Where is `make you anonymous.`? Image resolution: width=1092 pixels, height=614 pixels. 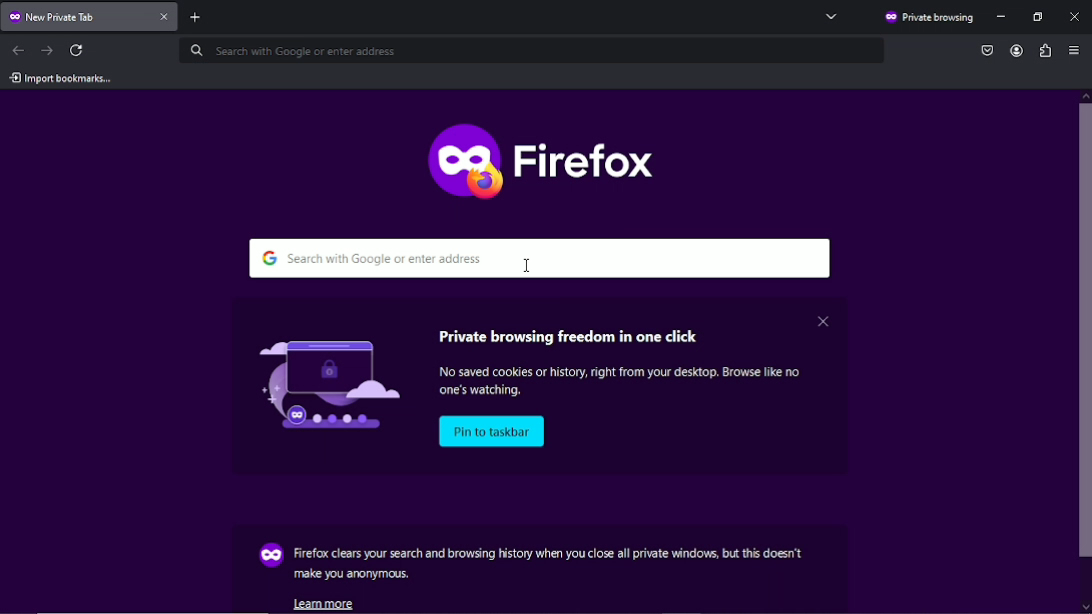
make you anonymous. is located at coordinates (353, 575).